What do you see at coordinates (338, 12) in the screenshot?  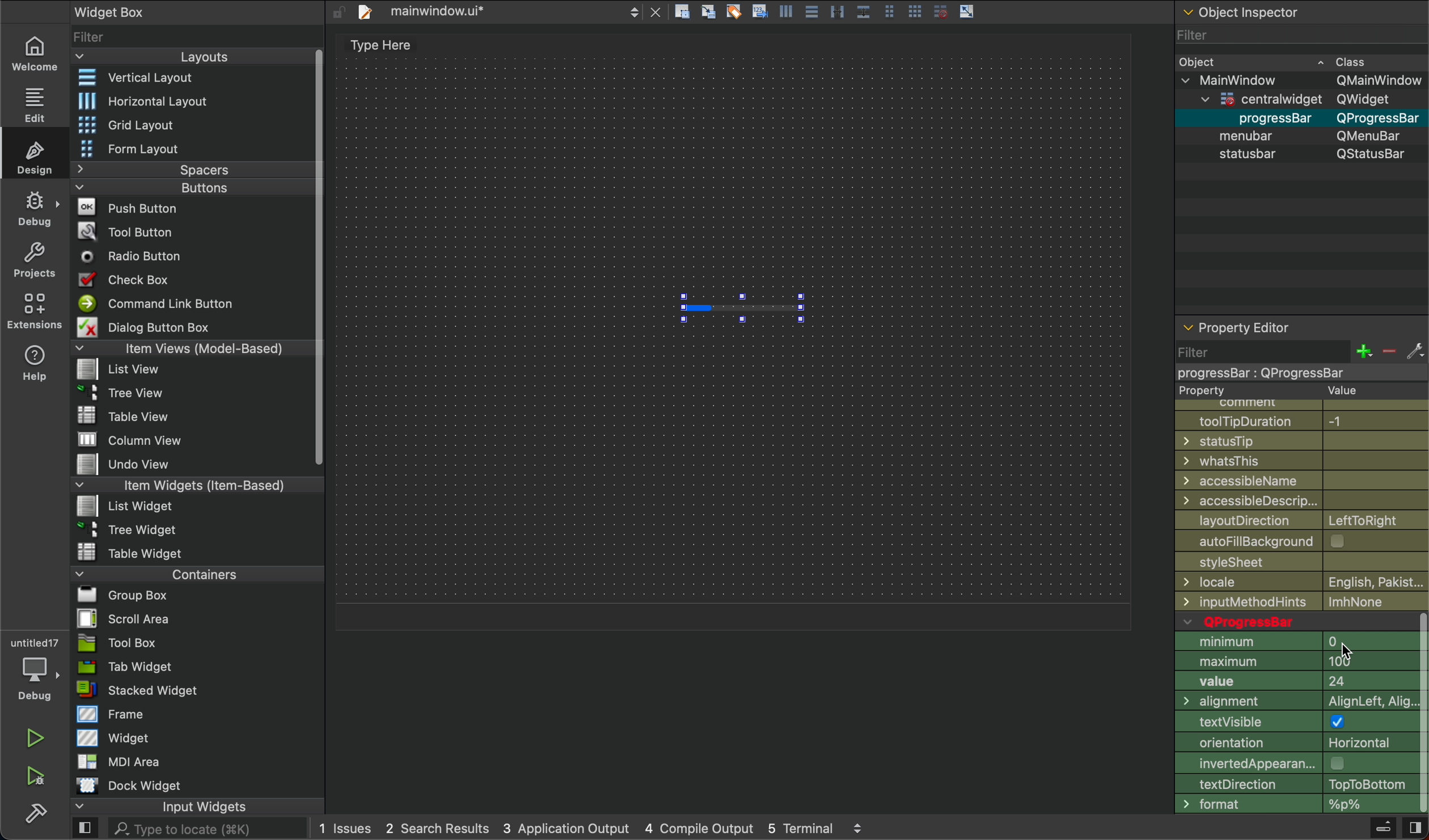 I see `unlock` at bounding box center [338, 12].